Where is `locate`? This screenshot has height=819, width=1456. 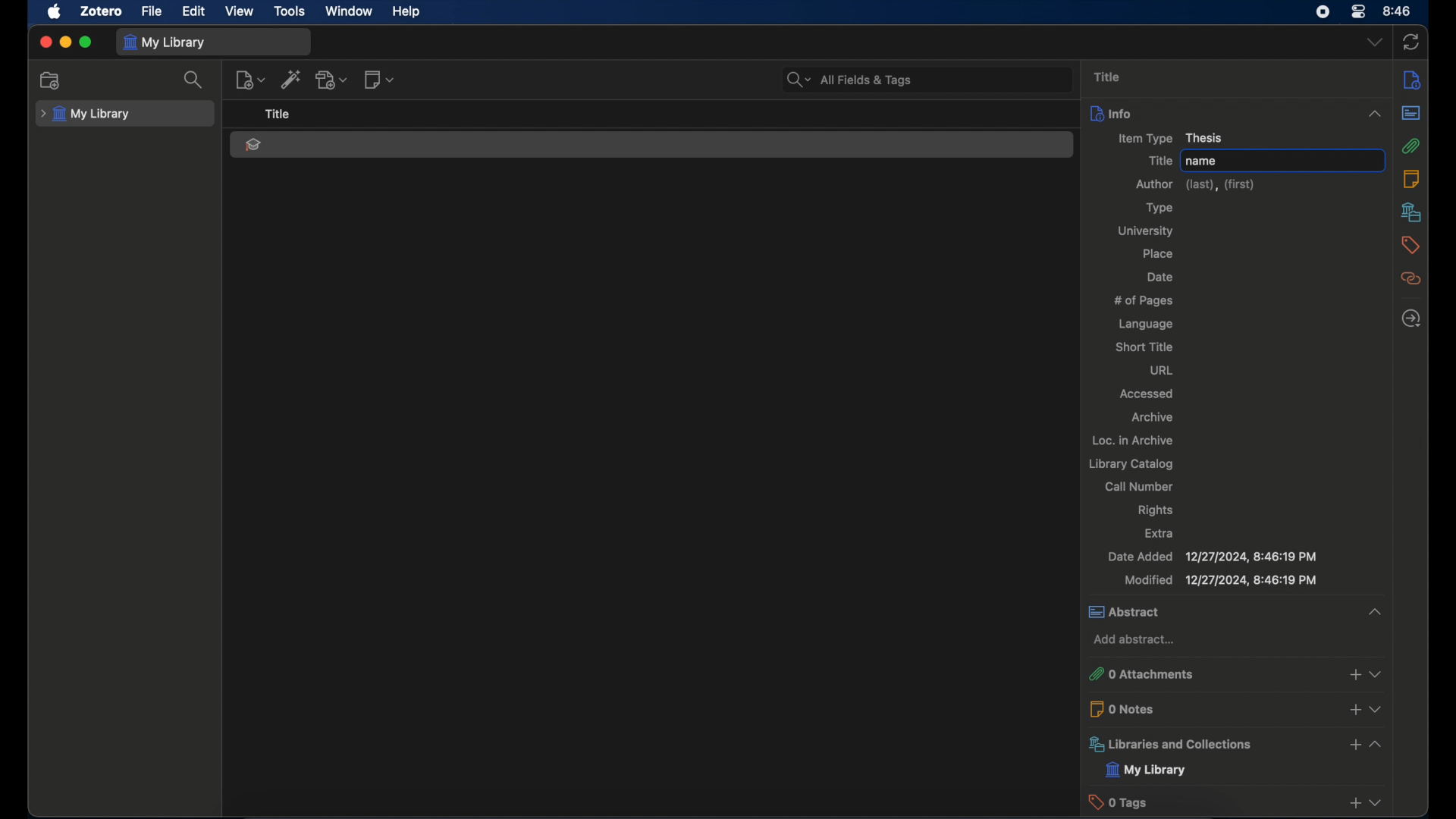
locate is located at coordinates (1410, 319).